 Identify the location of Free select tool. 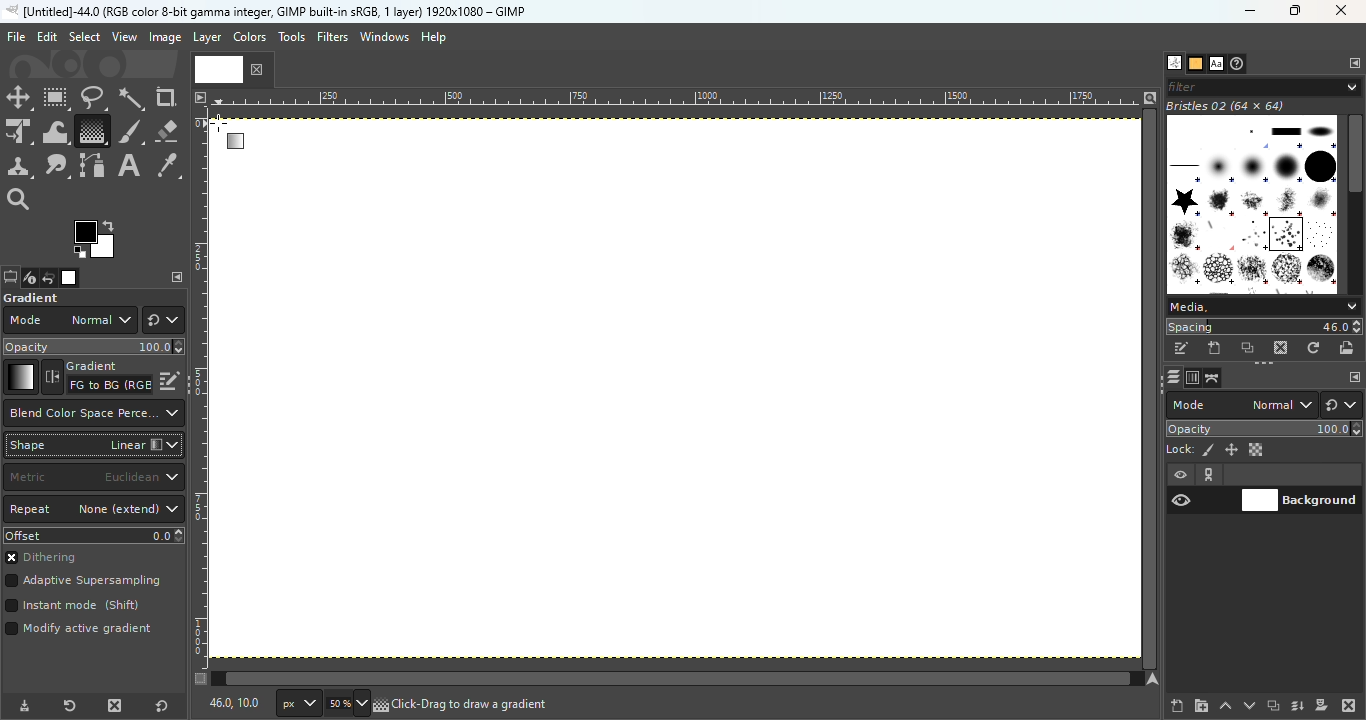
(92, 97).